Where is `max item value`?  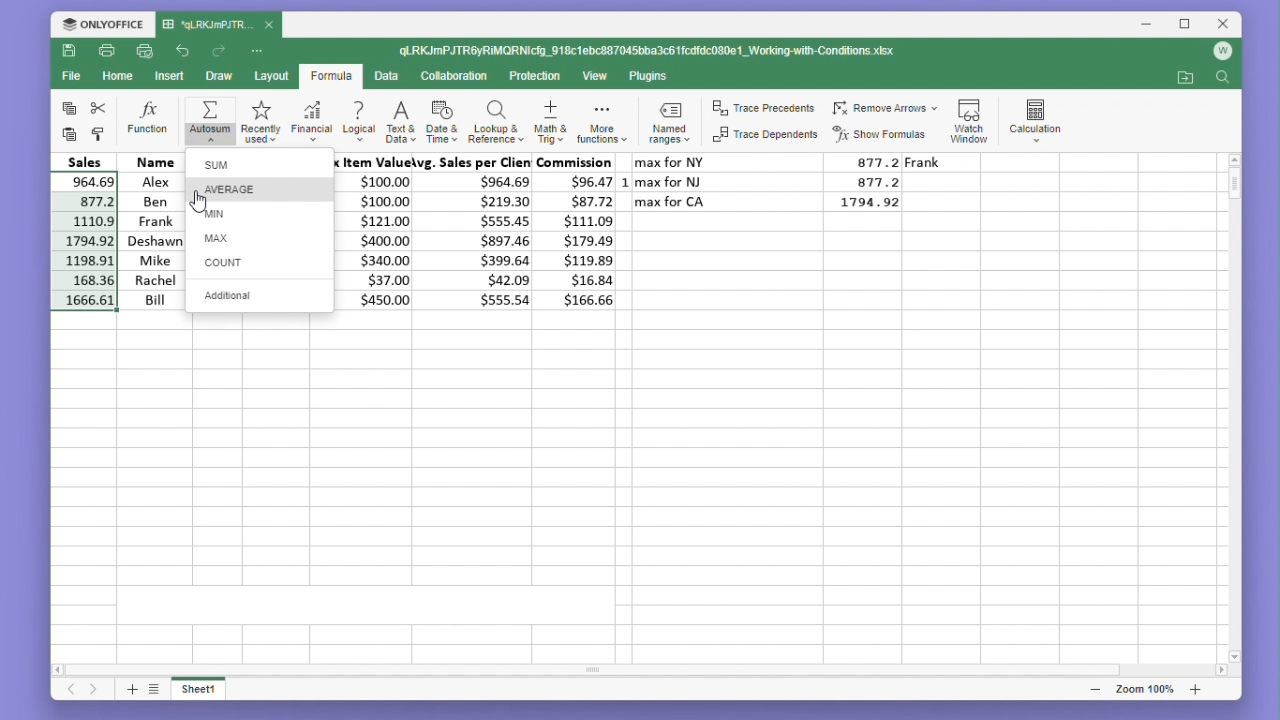
max item value is located at coordinates (376, 231).